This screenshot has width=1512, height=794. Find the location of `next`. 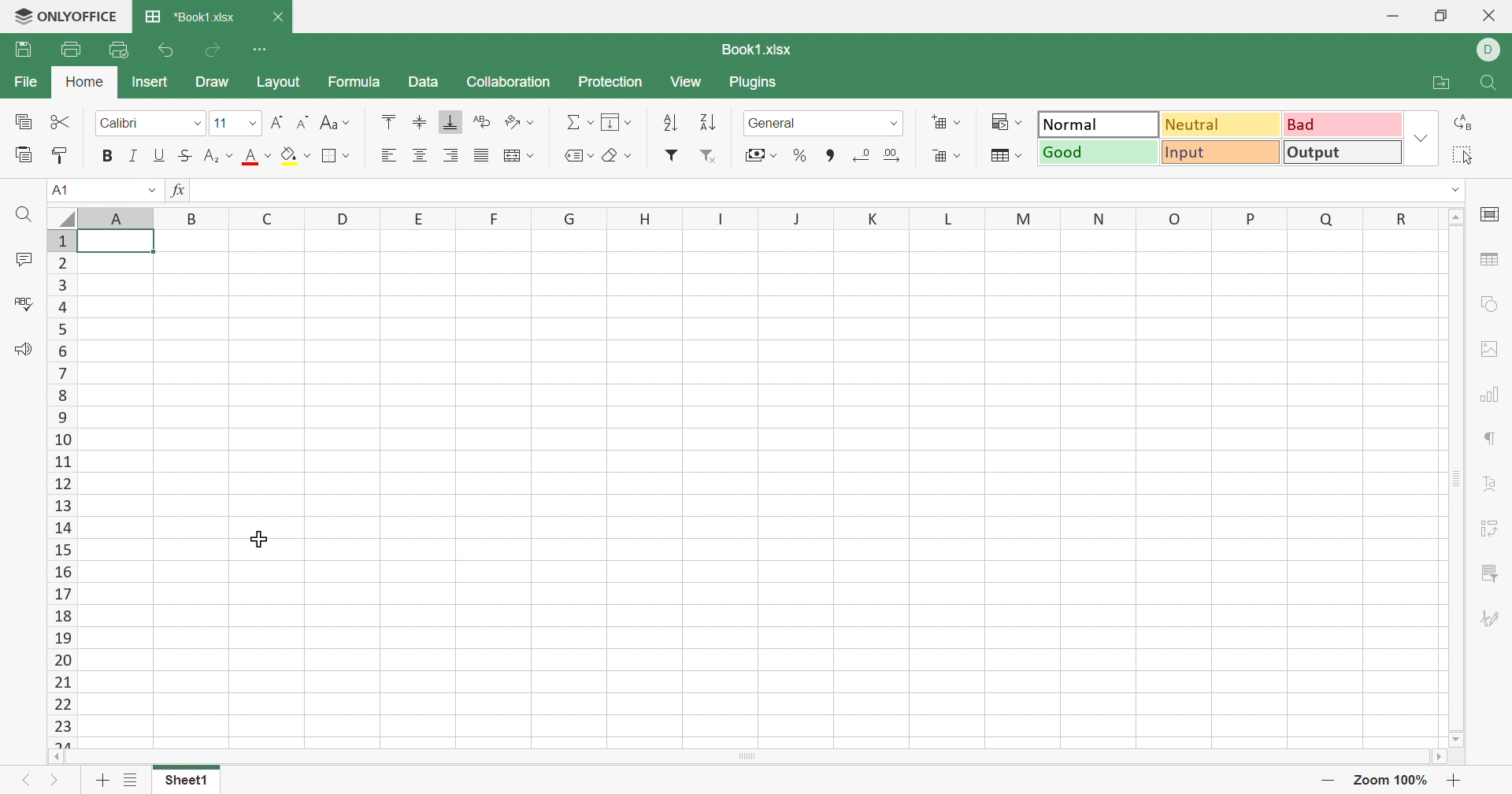

next is located at coordinates (53, 777).